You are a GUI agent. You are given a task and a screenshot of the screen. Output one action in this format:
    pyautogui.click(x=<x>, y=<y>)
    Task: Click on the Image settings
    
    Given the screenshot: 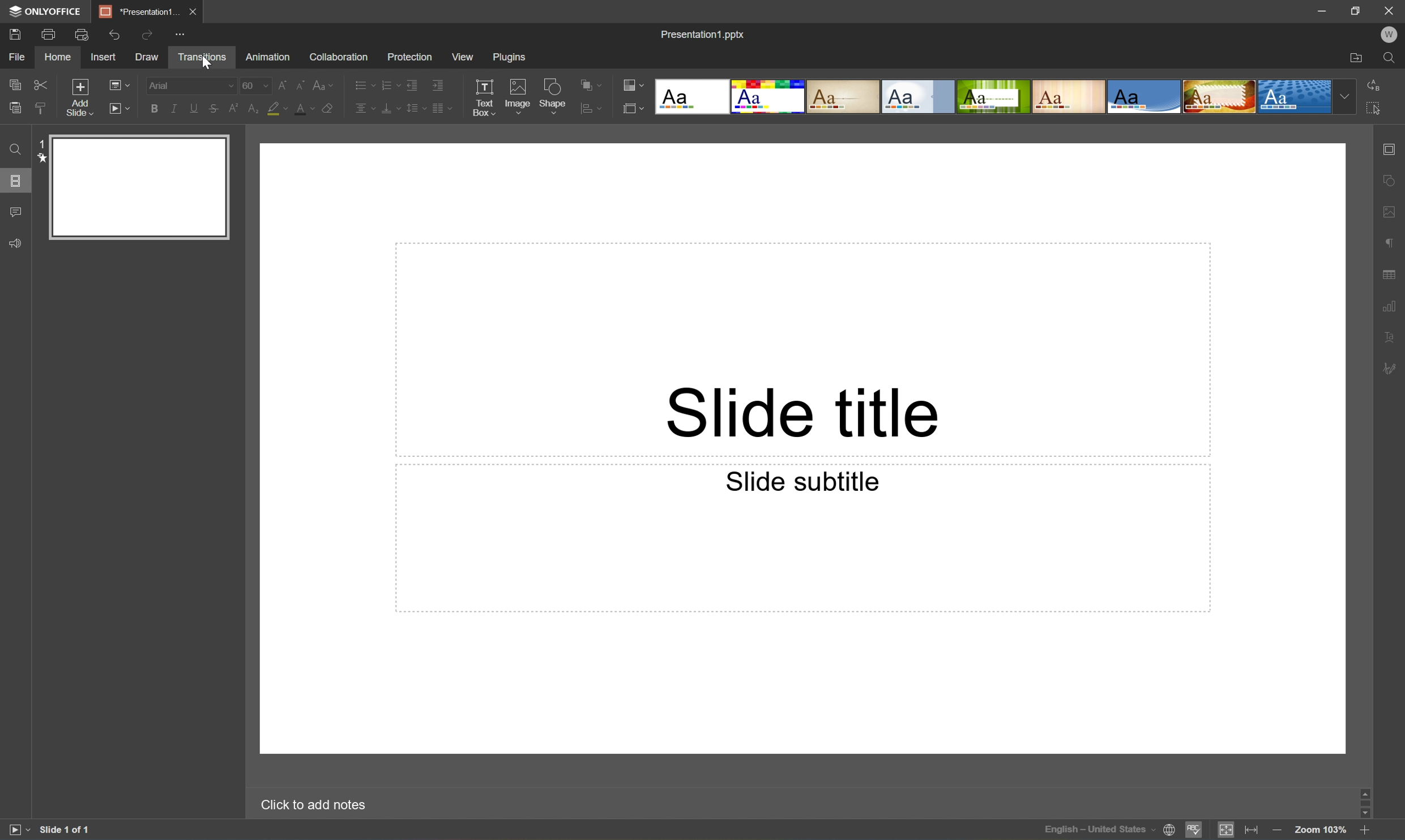 What is the action you would take?
    pyautogui.click(x=1390, y=209)
    